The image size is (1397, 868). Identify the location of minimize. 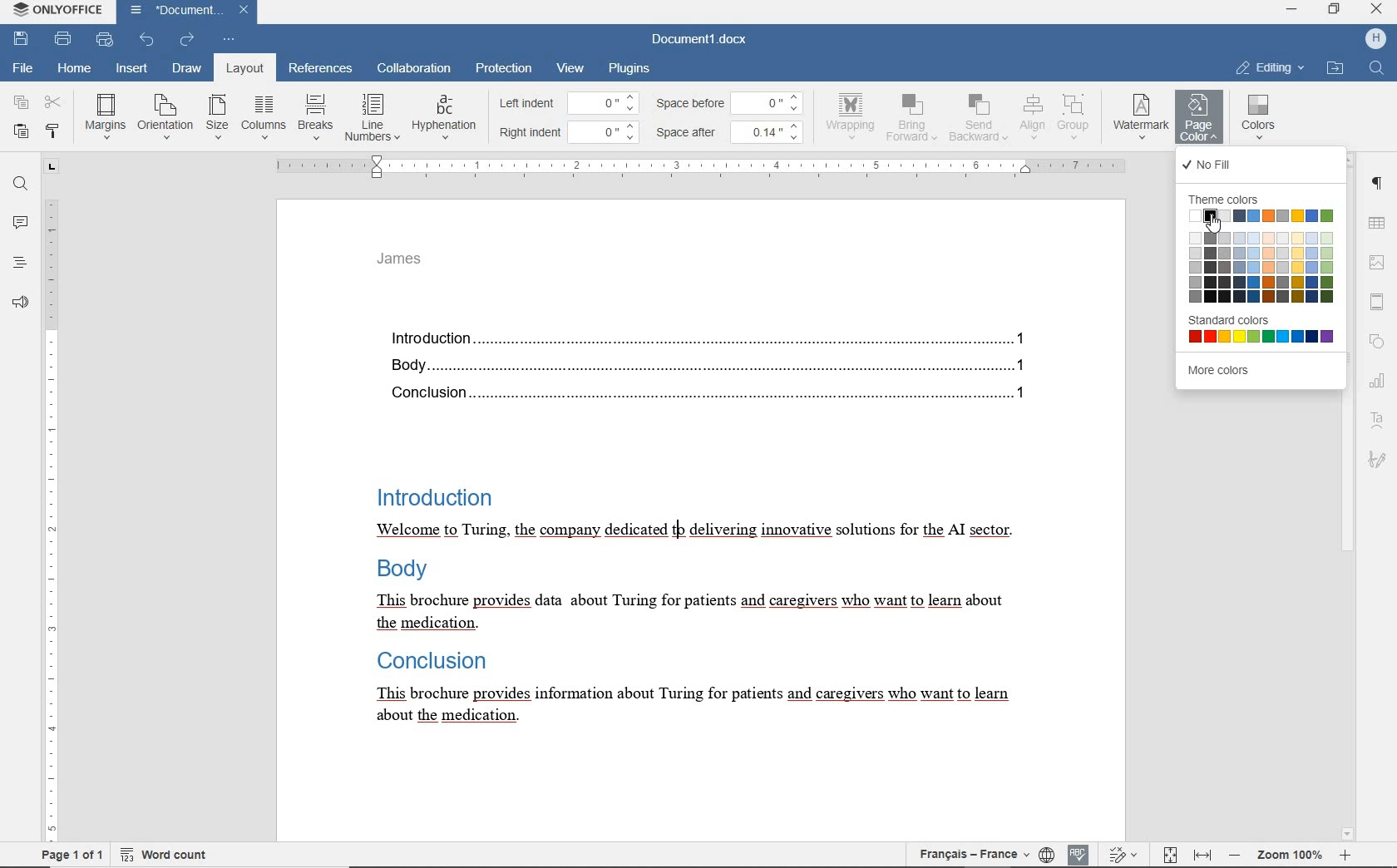
(1291, 9).